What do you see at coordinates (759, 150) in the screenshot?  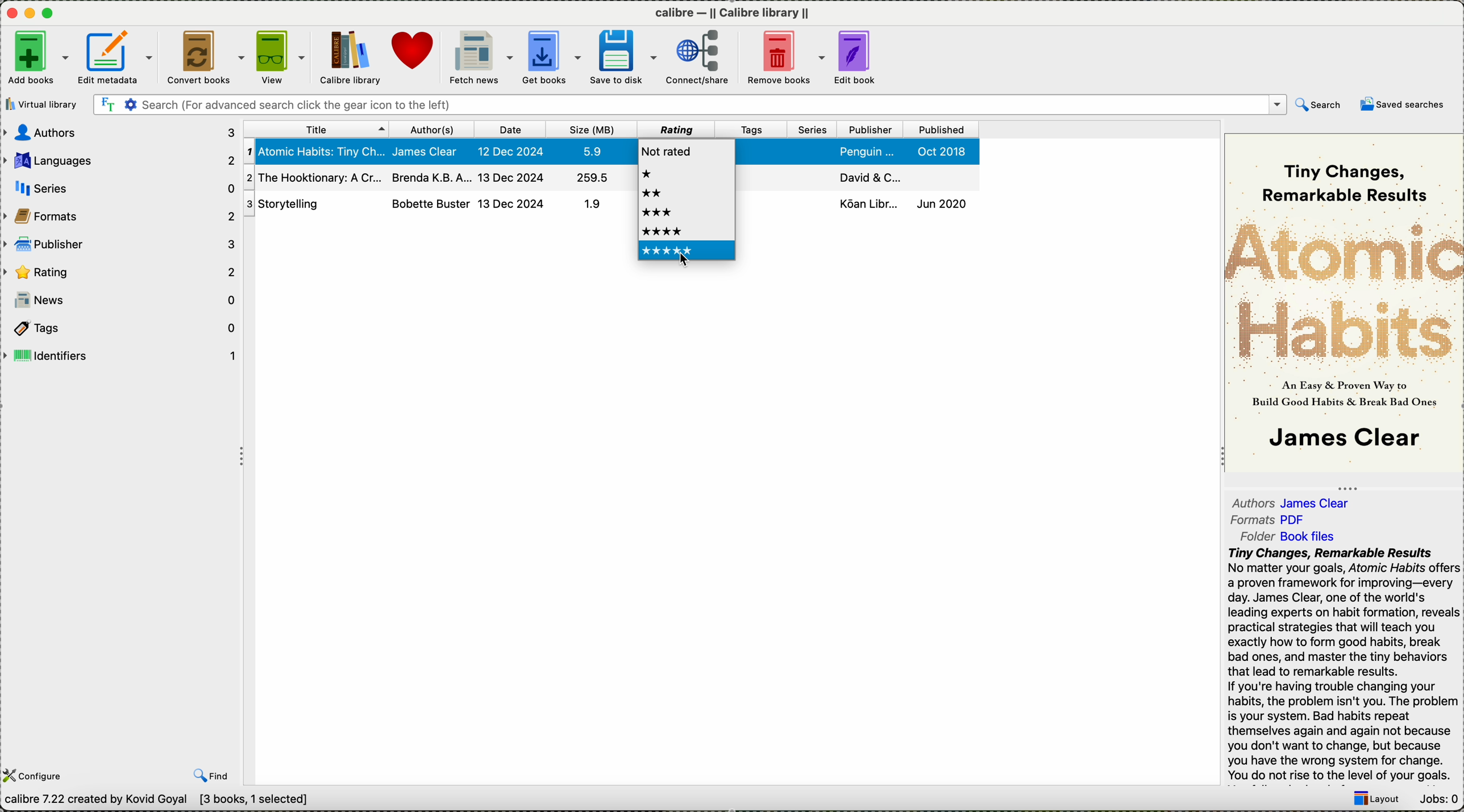 I see `tags` at bounding box center [759, 150].